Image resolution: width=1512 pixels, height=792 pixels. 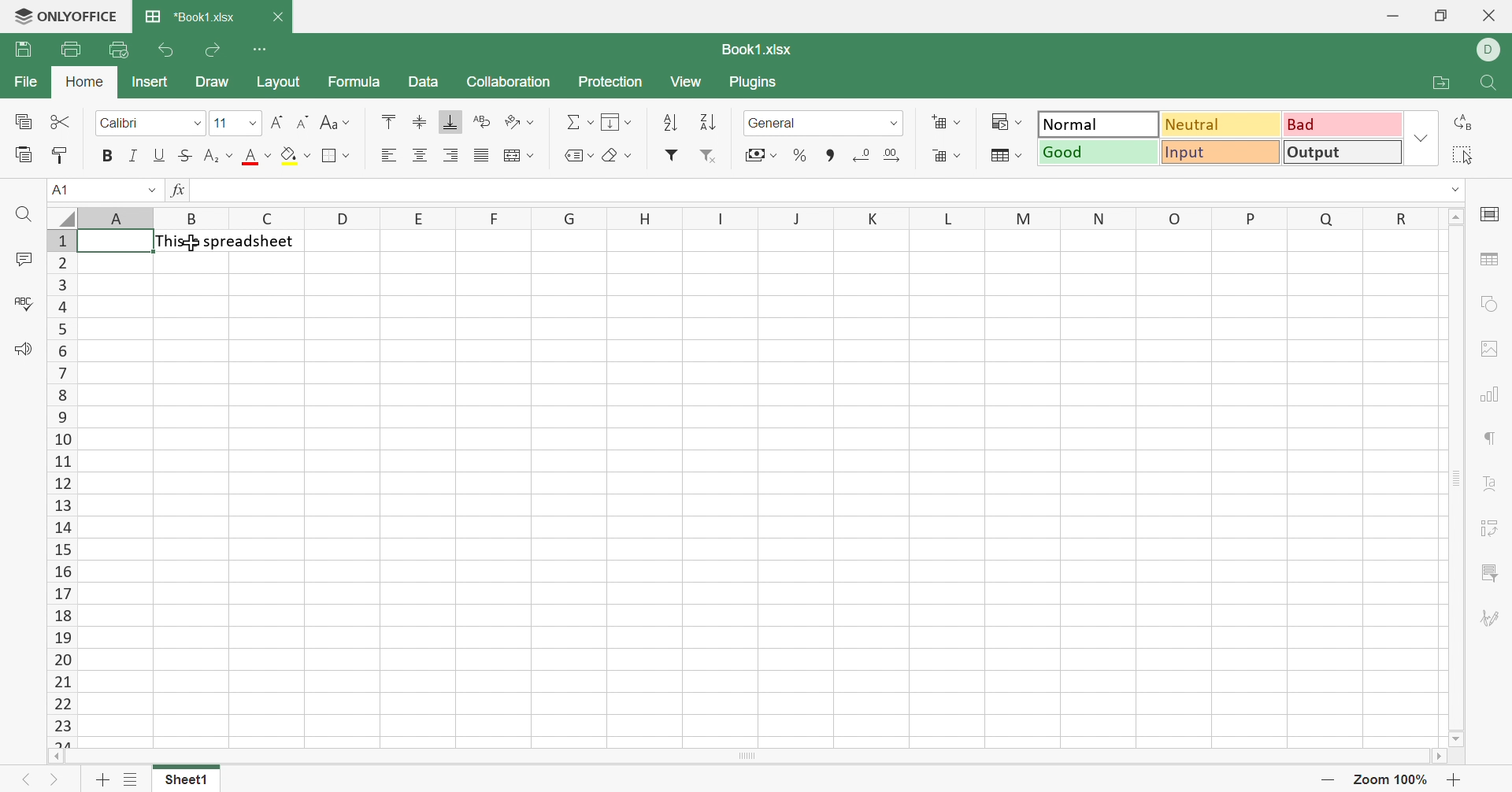 What do you see at coordinates (1455, 476) in the screenshot?
I see `Scroll Bar` at bounding box center [1455, 476].